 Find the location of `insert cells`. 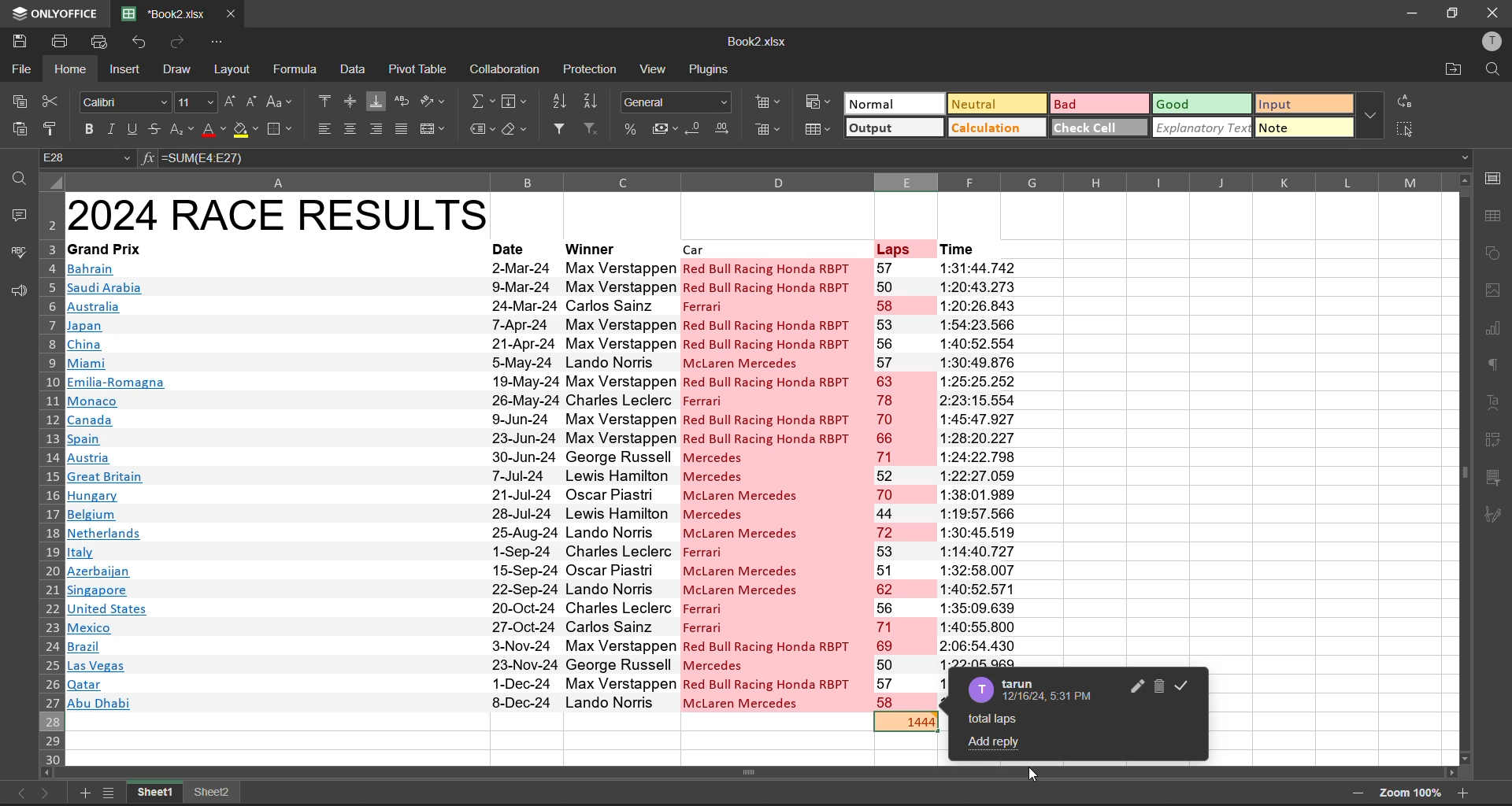

insert cells is located at coordinates (771, 104).